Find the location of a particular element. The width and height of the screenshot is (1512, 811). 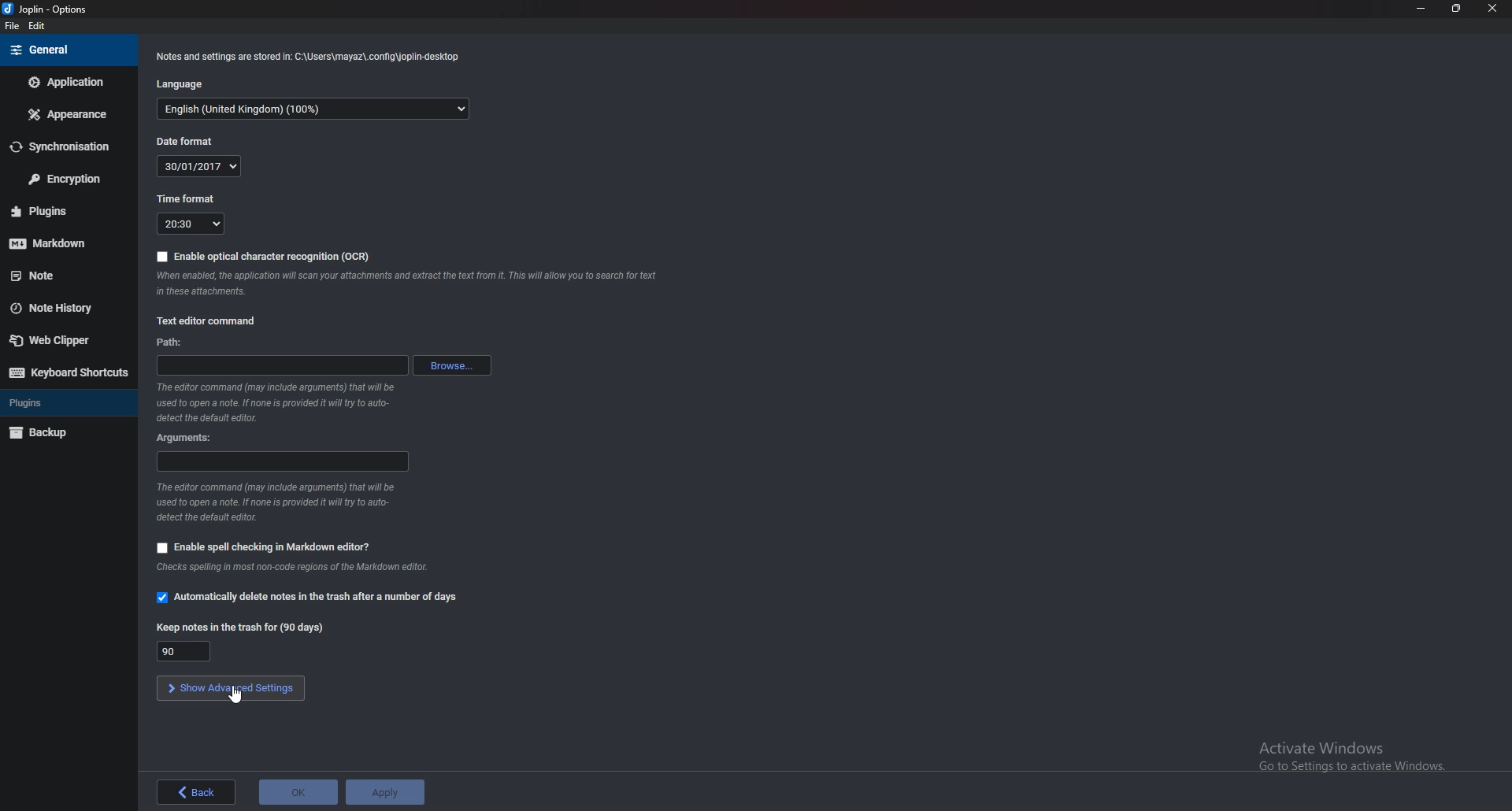

info is located at coordinates (328, 568).